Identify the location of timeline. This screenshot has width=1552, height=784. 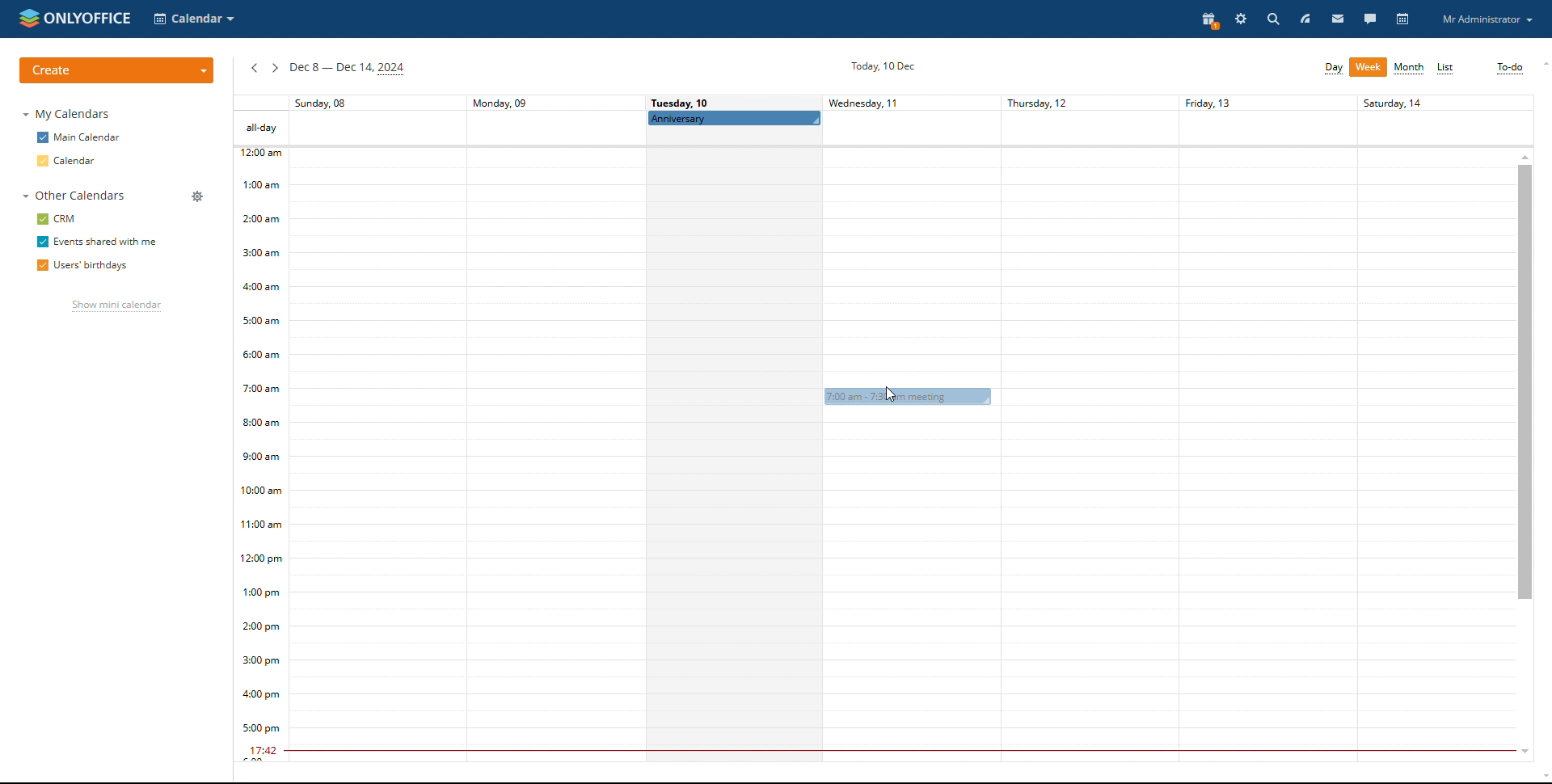
(260, 455).